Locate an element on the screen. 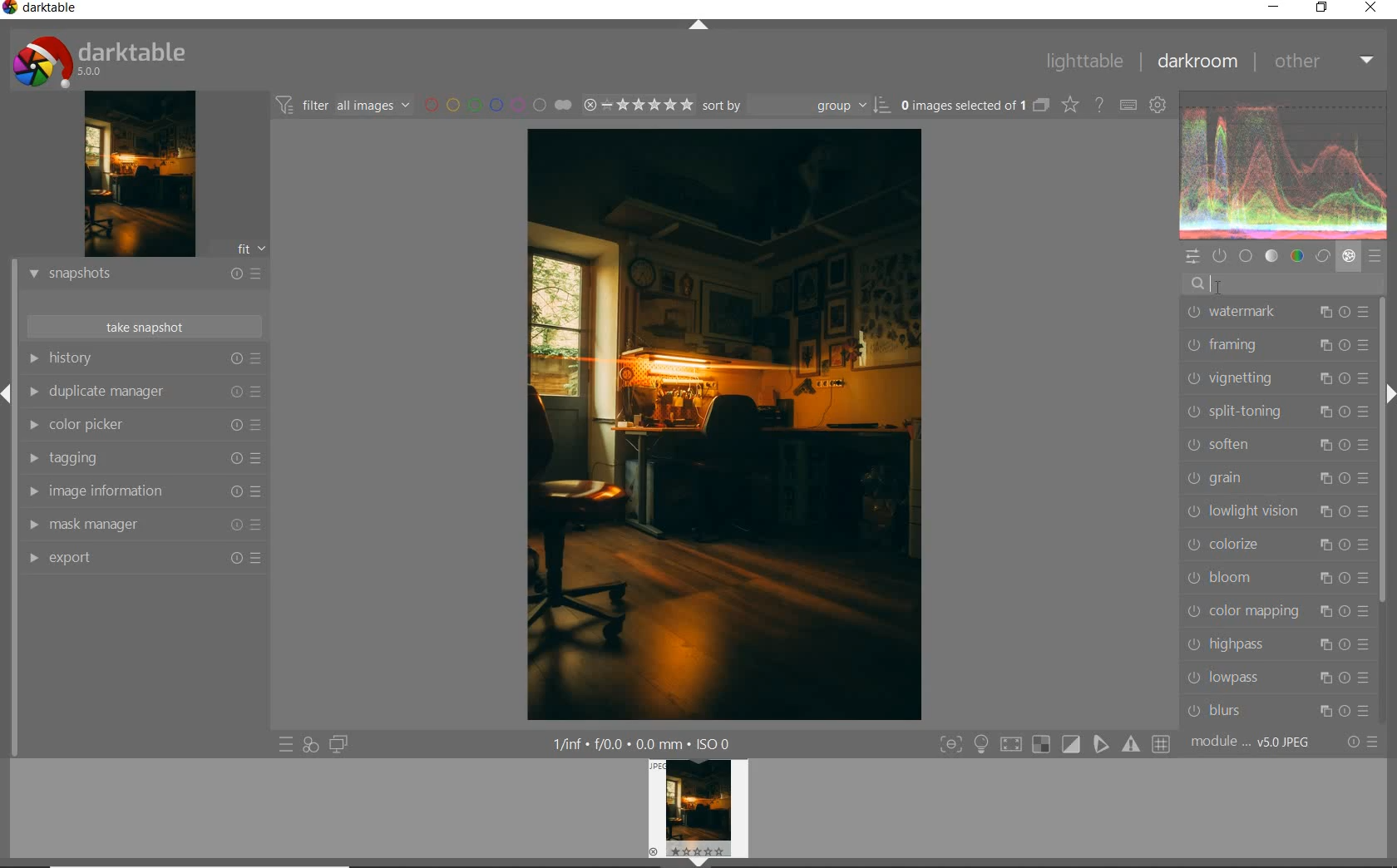 The height and width of the screenshot is (868, 1397). quick access for applying any of your styles is located at coordinates (311, 743).